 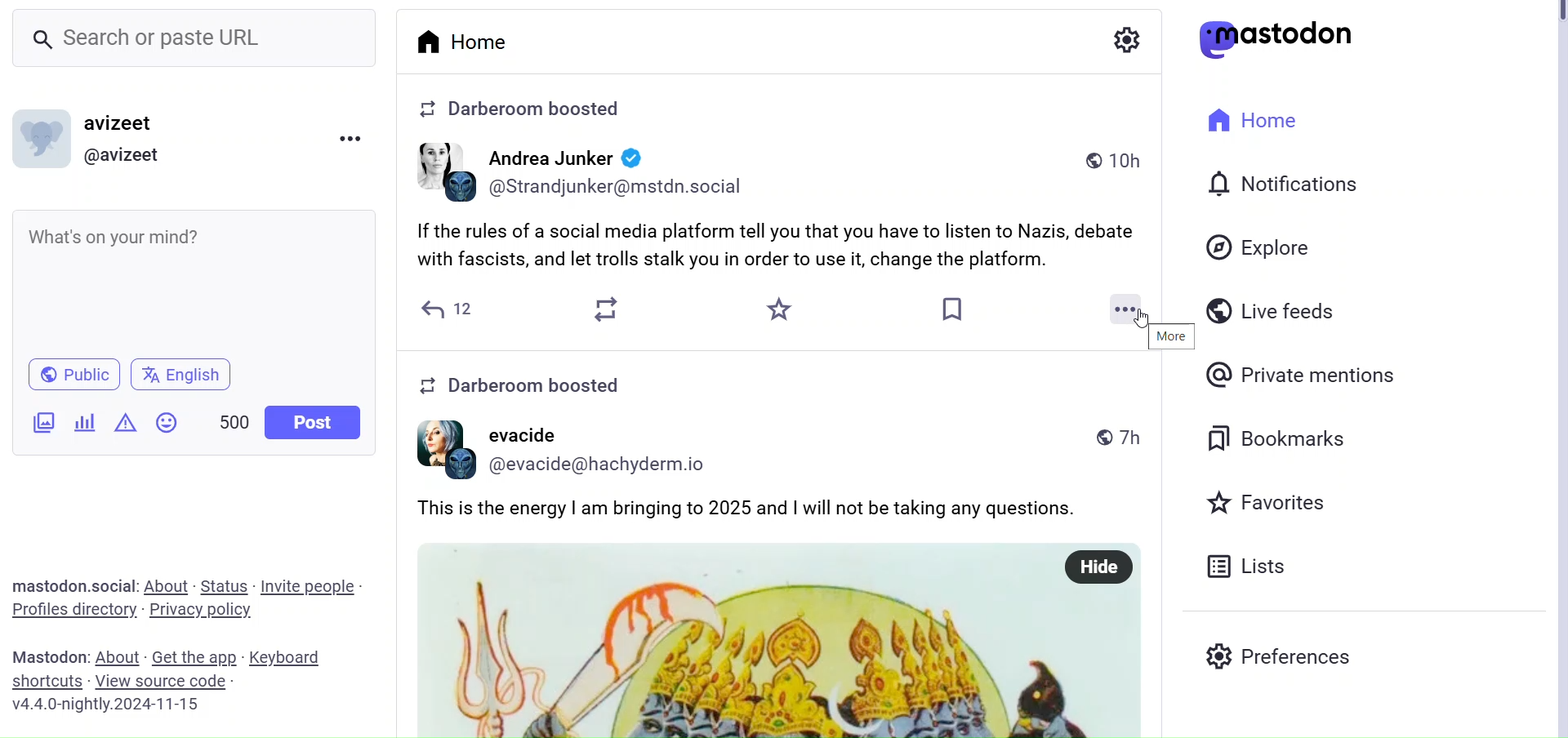 I want to click on Public, so click(x=72, y=376).